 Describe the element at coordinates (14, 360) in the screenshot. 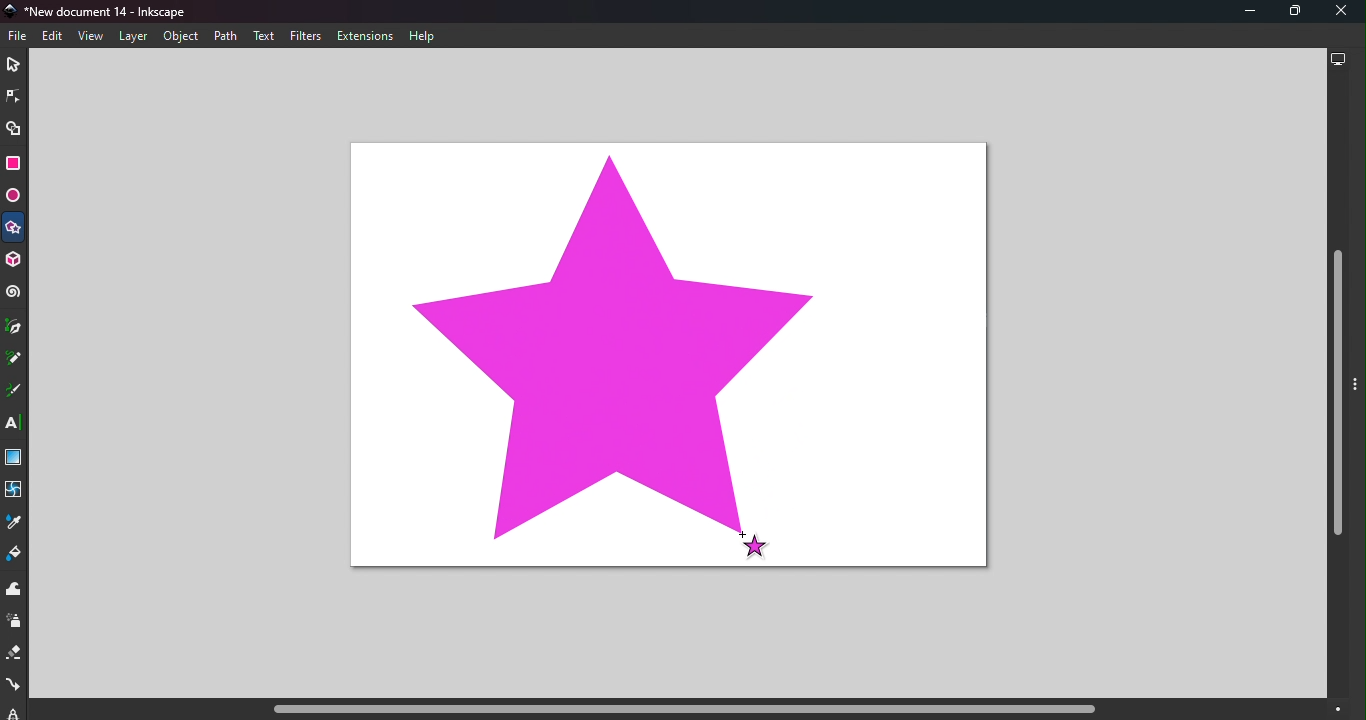

I see `Pencil tool` at that location.